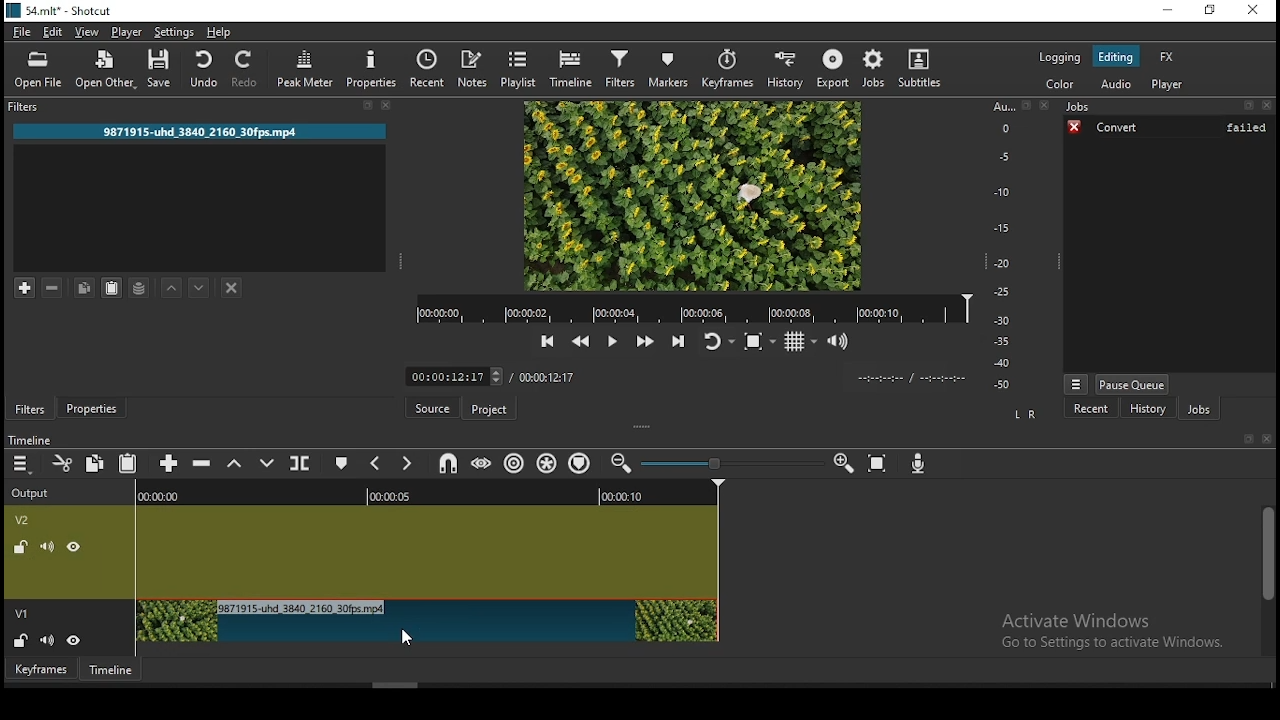 Image resolution: width=1280 pixels, height=720 pixels. Describe the element at coordinates (879, 465) in the screenshot. I see `zoom timeline to fit` at that location.